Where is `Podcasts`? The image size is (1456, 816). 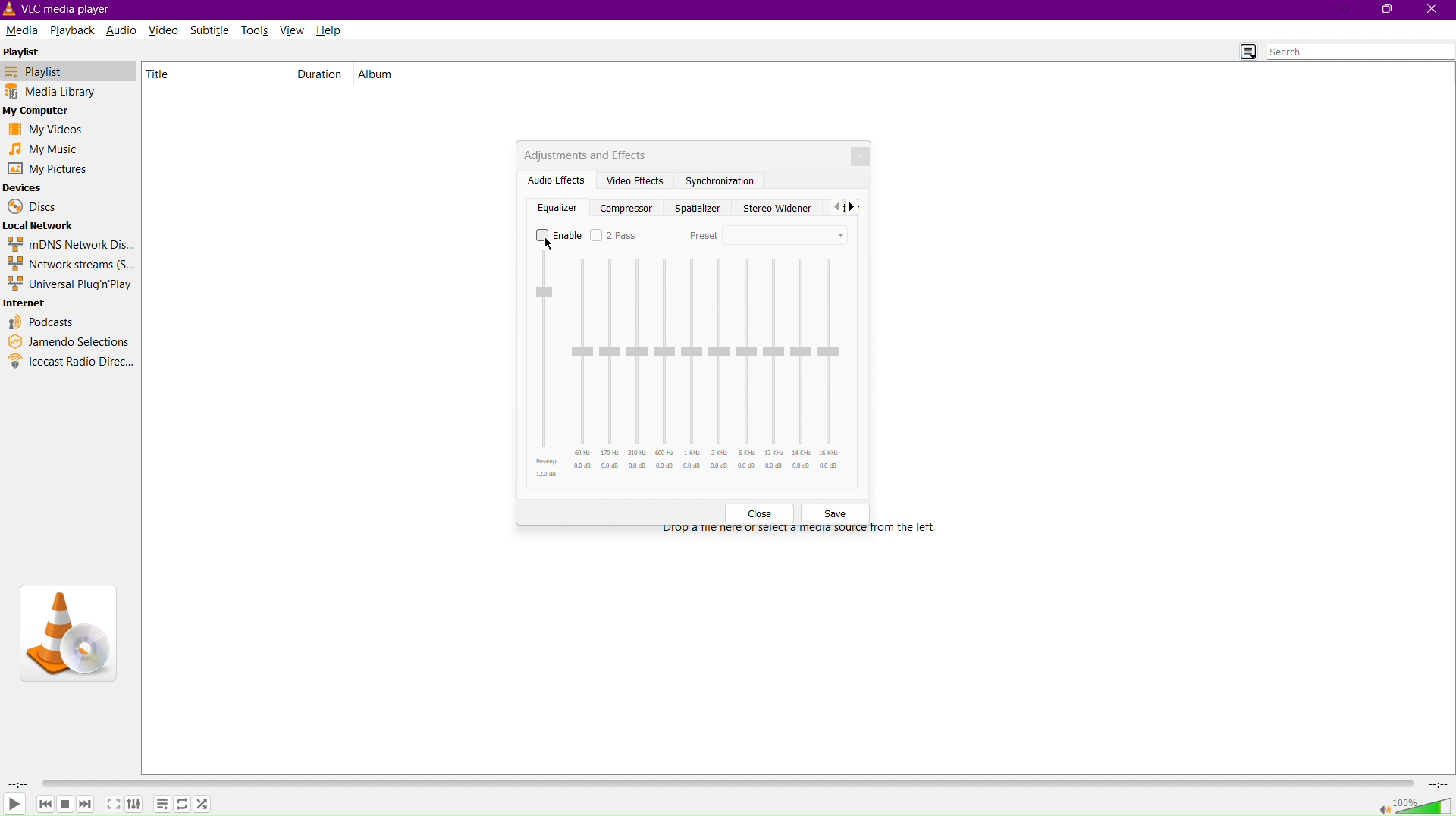 Podcasts is located at coordinates (44, 319).